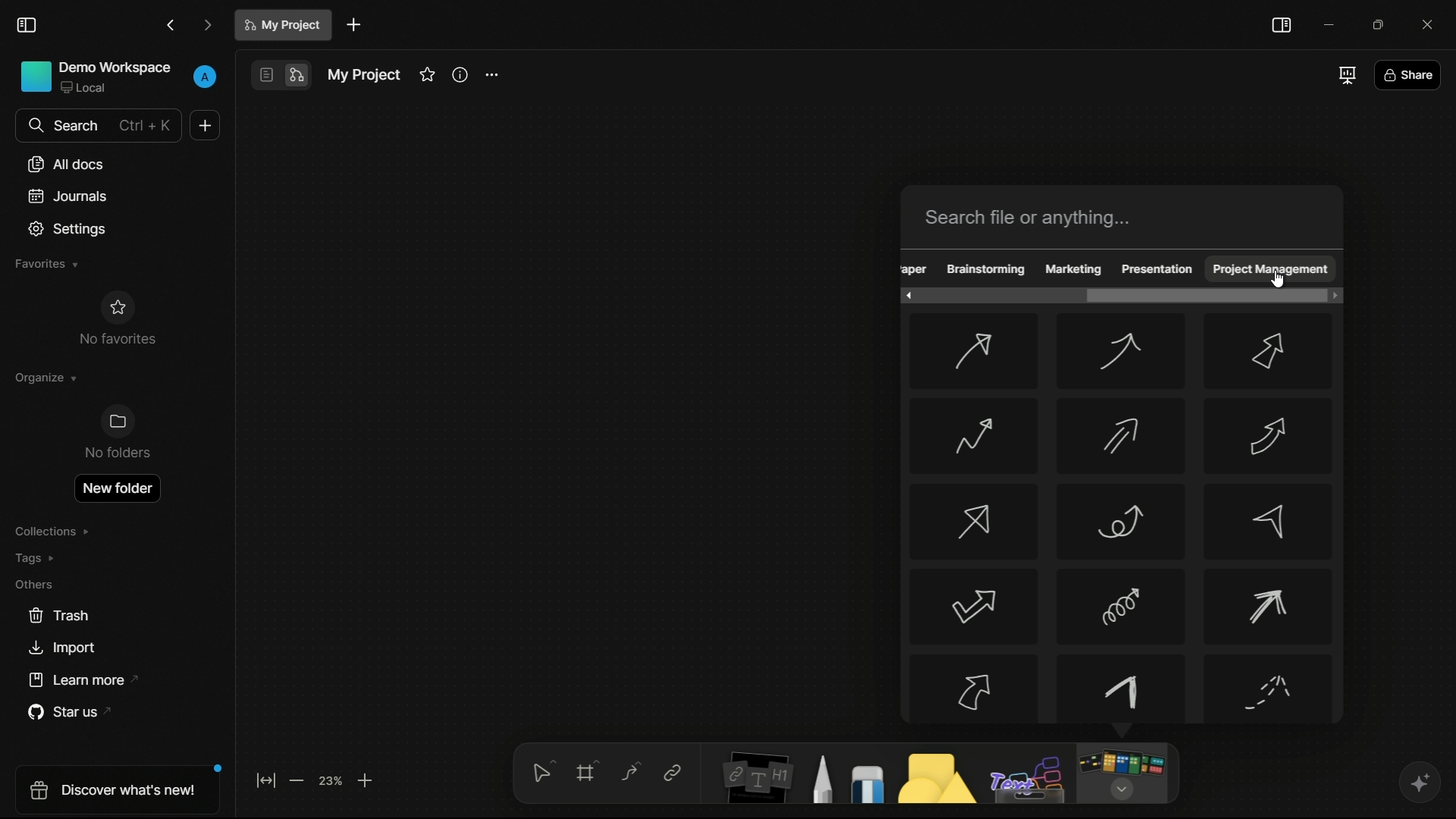  I want to click on toggle sidebar, so click(1281, 25).